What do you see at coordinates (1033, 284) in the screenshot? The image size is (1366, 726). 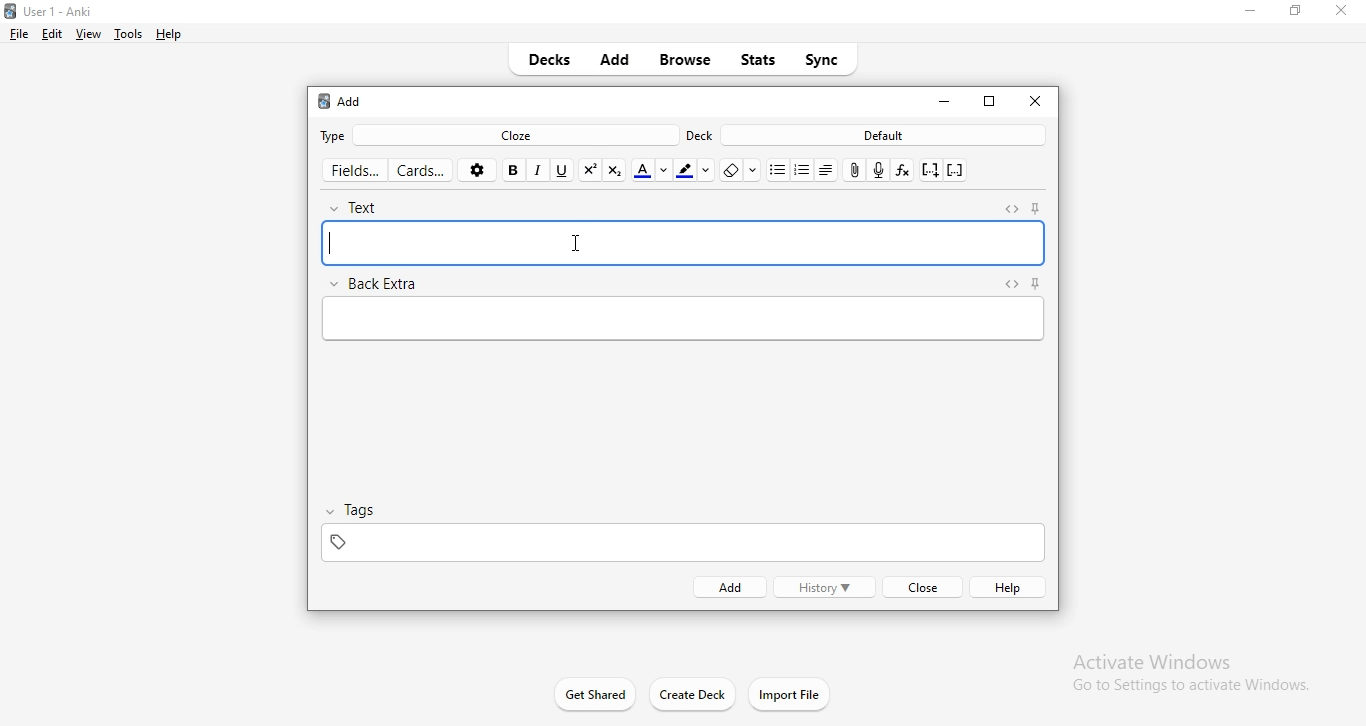 I see `pin` at bounding box center [1033, 284].